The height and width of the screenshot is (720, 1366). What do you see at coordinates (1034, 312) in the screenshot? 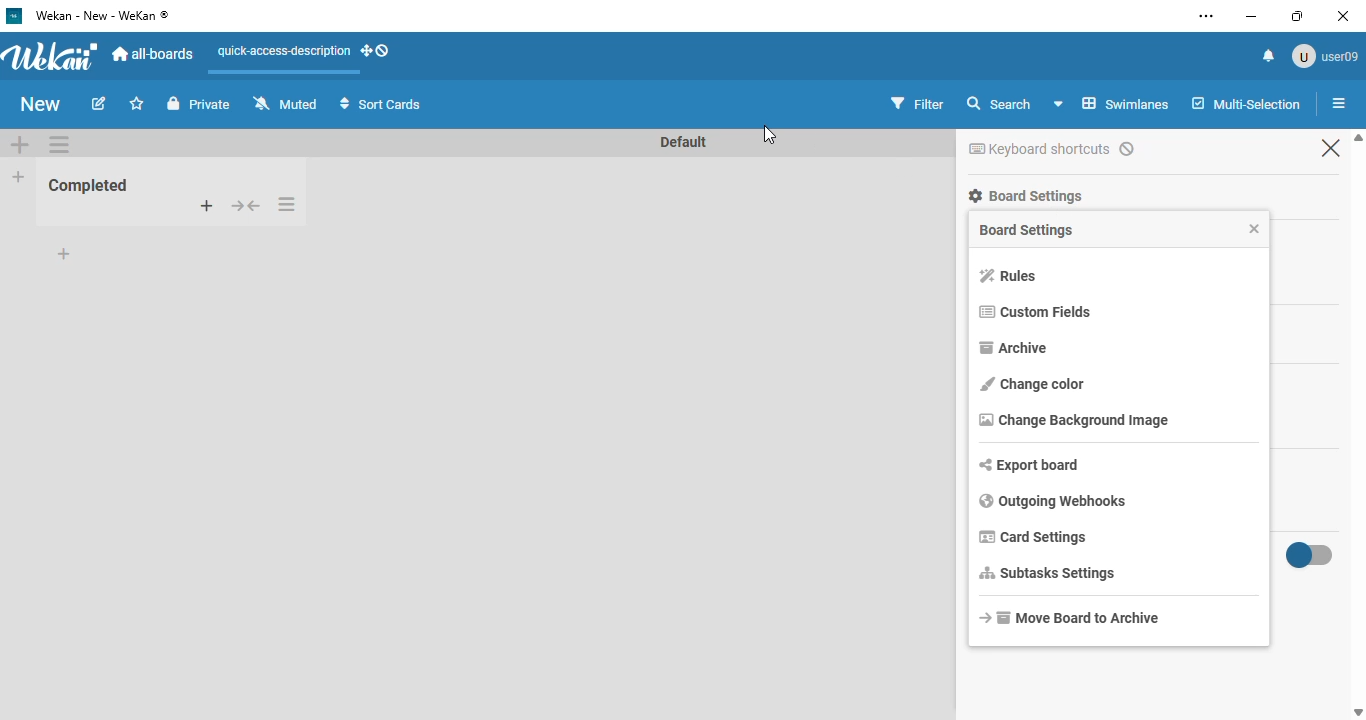
I see `custom fields` at bounding box center [1034, 312].